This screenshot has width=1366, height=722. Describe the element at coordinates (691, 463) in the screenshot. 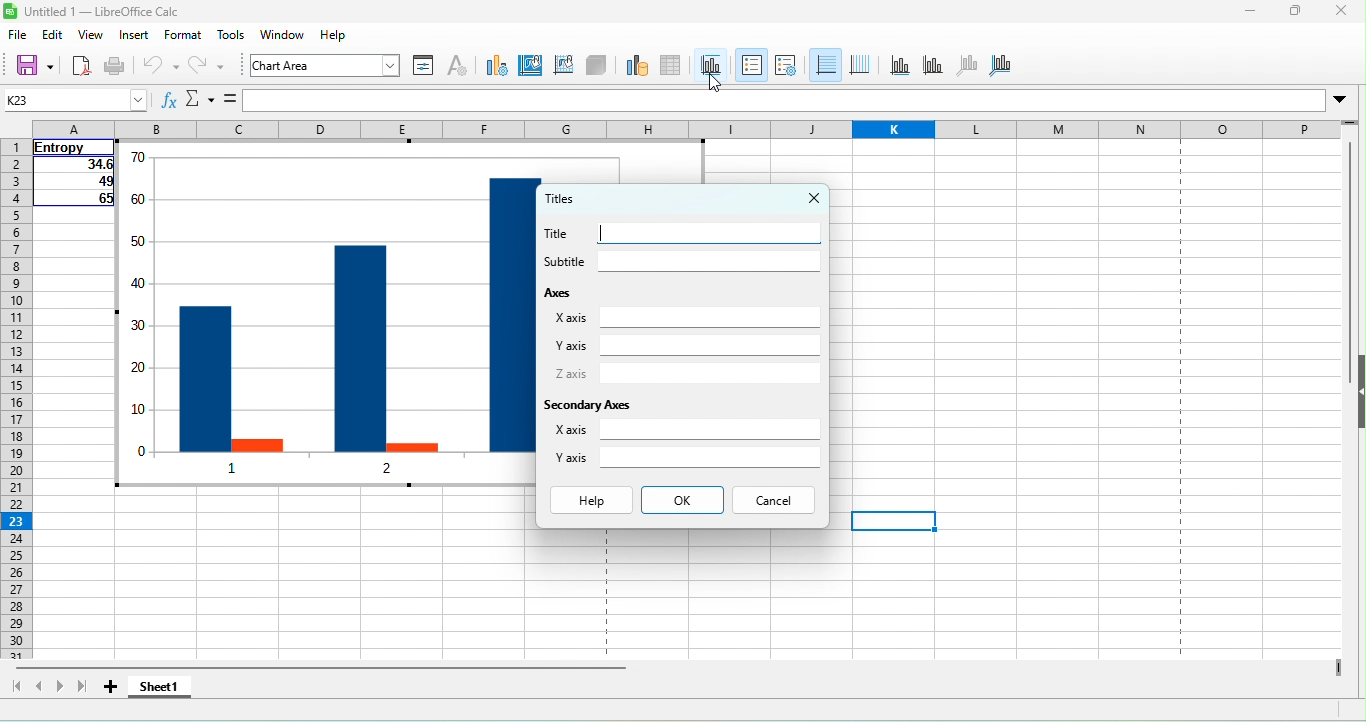

I see `y axis` at that location.